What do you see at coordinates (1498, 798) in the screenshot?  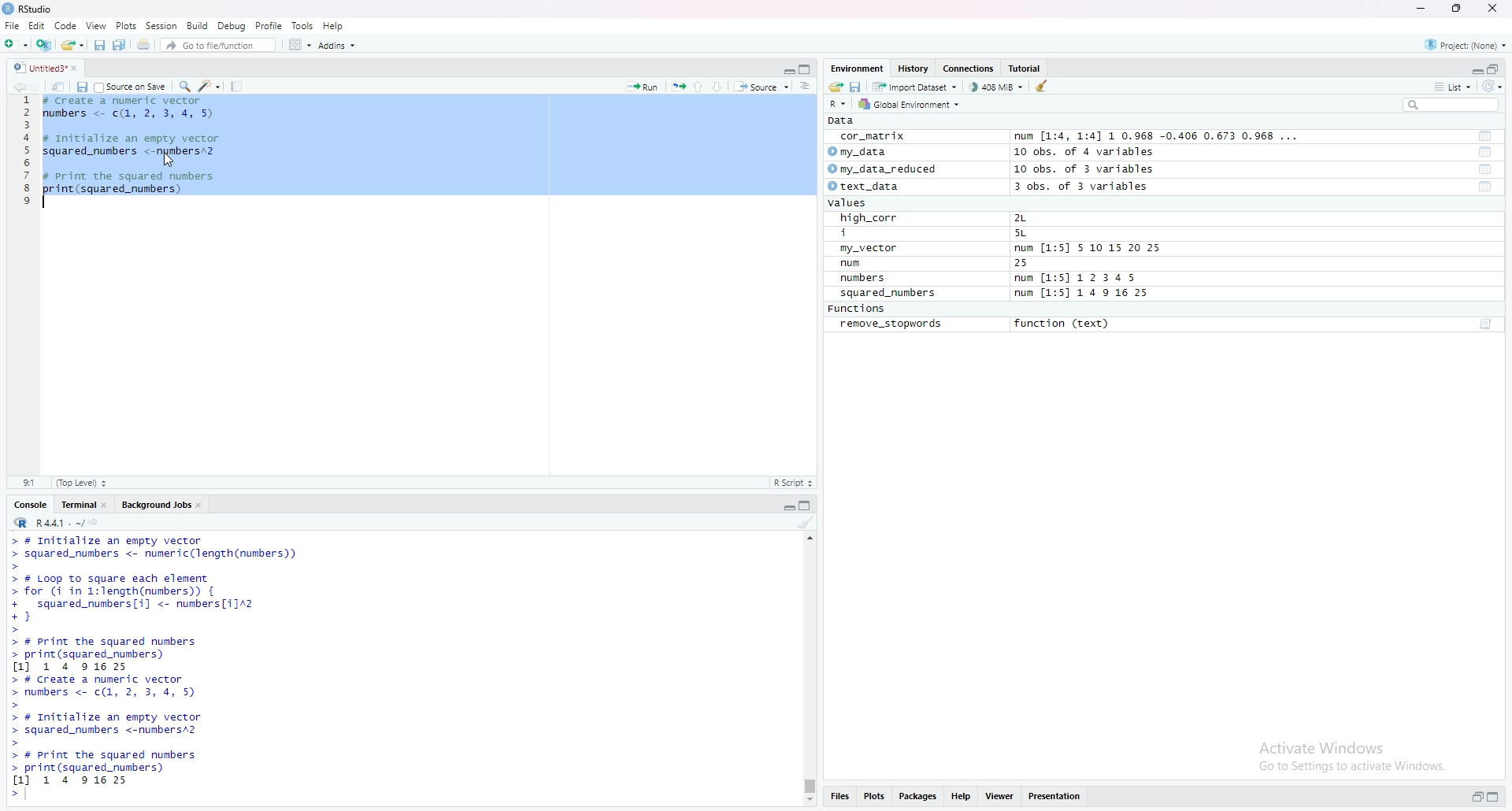 I see `maximize` at bounding box center [1498, 798].